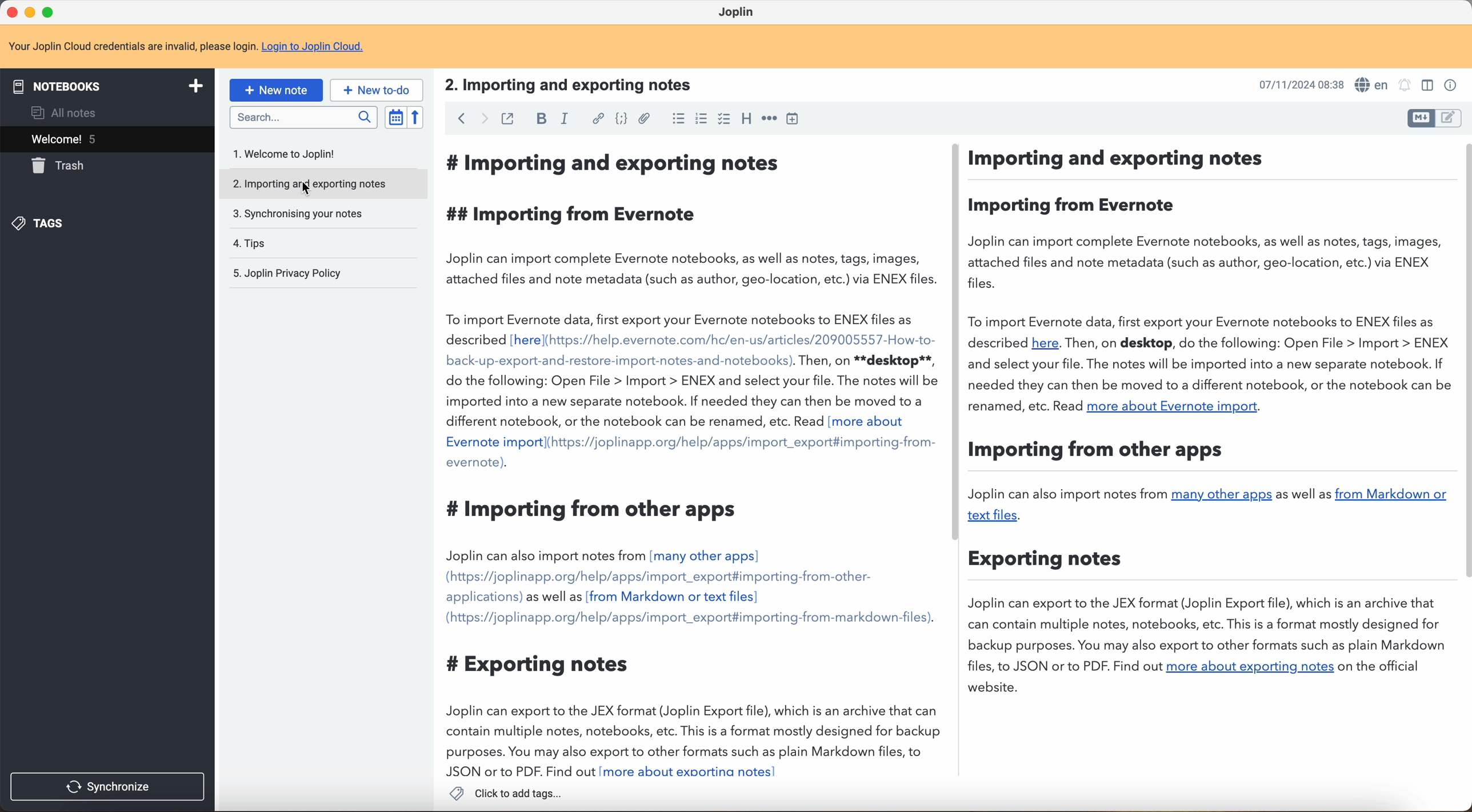 This screenshot has height=812, width=1472. What do you see at coordinates (32, 11) in the screenshot?
I see `minimize` at bounding box center [32, 11].